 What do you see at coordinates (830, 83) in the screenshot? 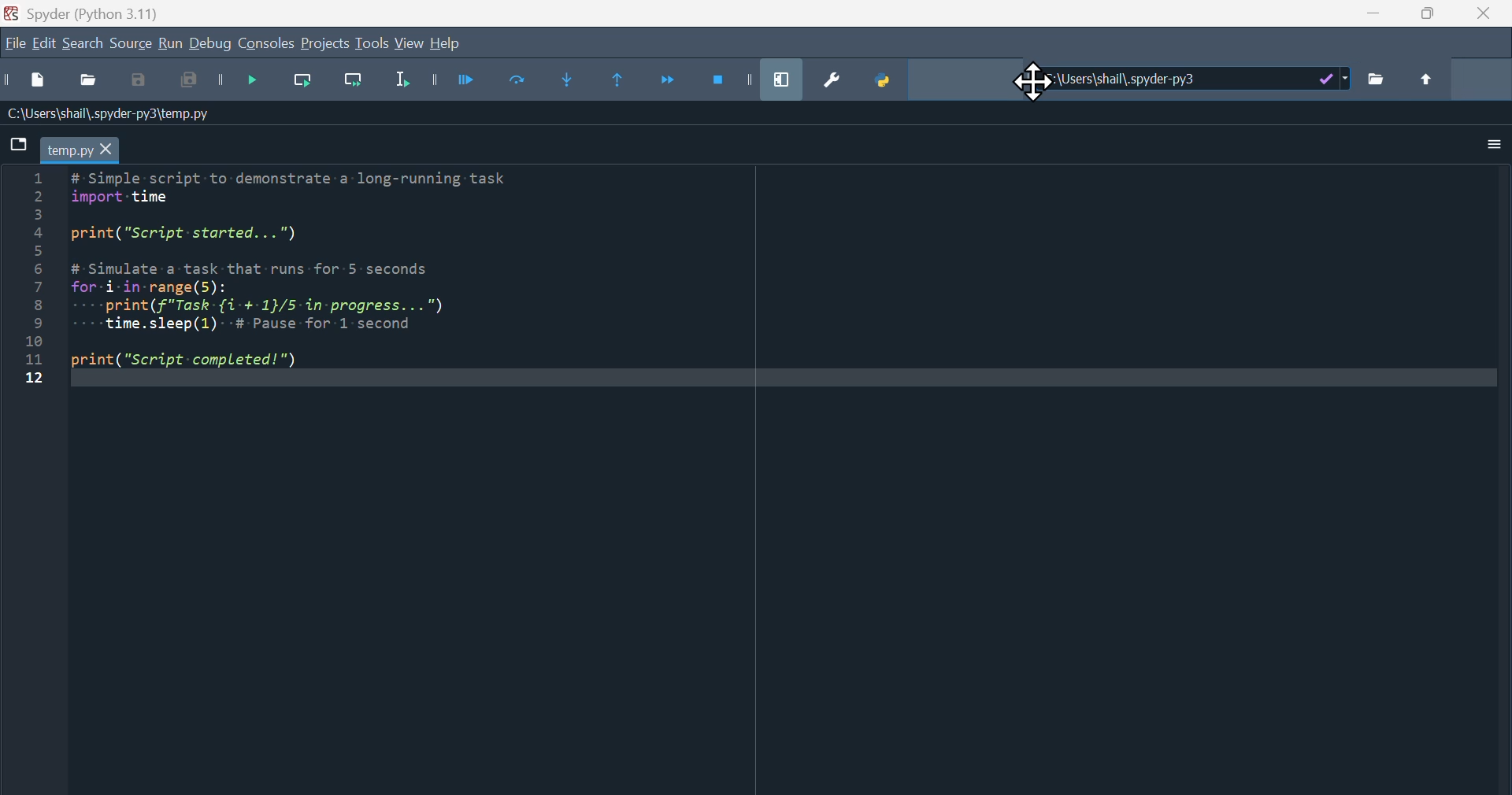
I see `Preferences` at bounding box center [830, 83].